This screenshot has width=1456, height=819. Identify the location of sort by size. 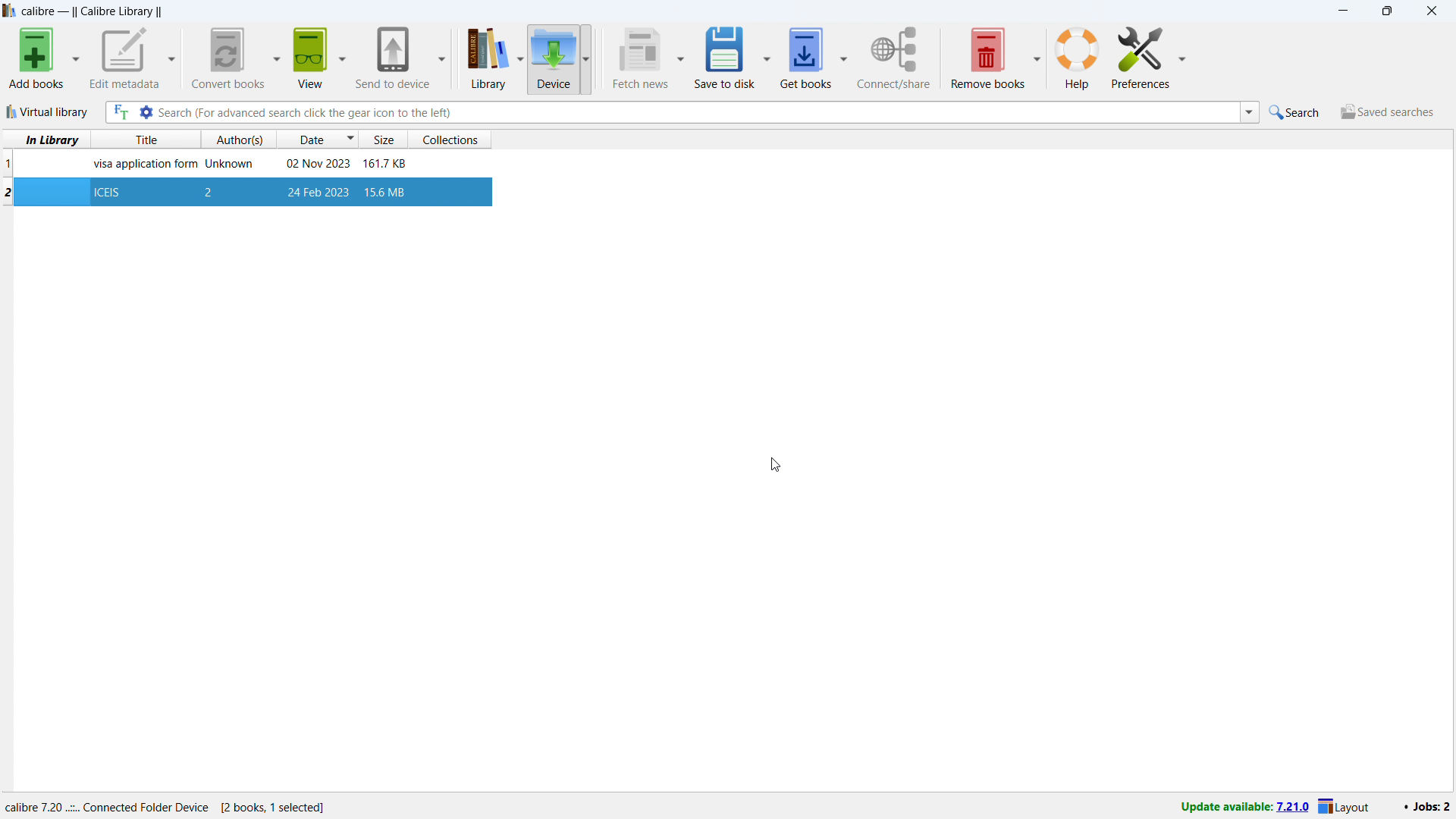
(385, 139).